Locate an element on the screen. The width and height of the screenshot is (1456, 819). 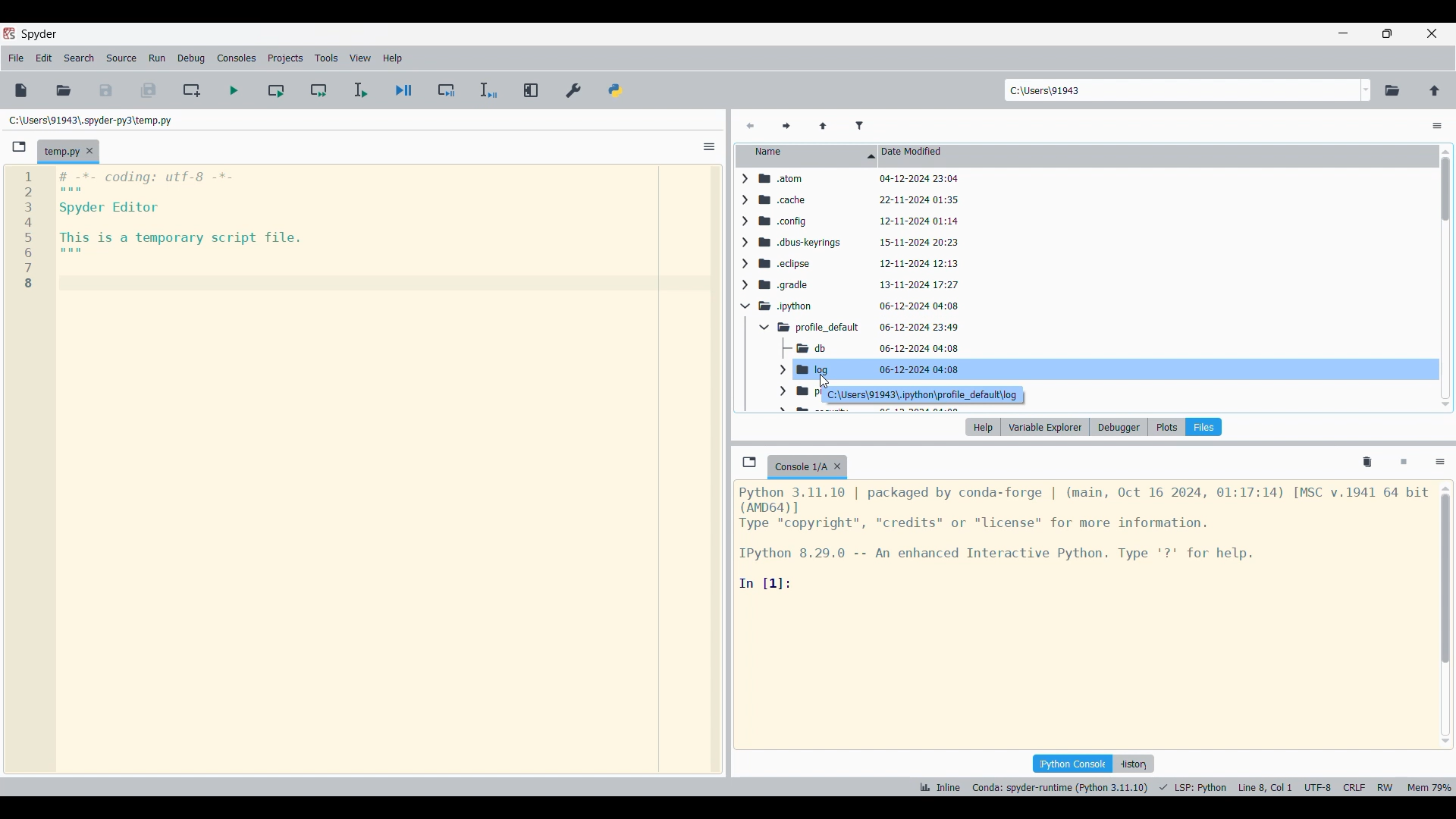
Browse working directory is located at coordinates (1392, 91).